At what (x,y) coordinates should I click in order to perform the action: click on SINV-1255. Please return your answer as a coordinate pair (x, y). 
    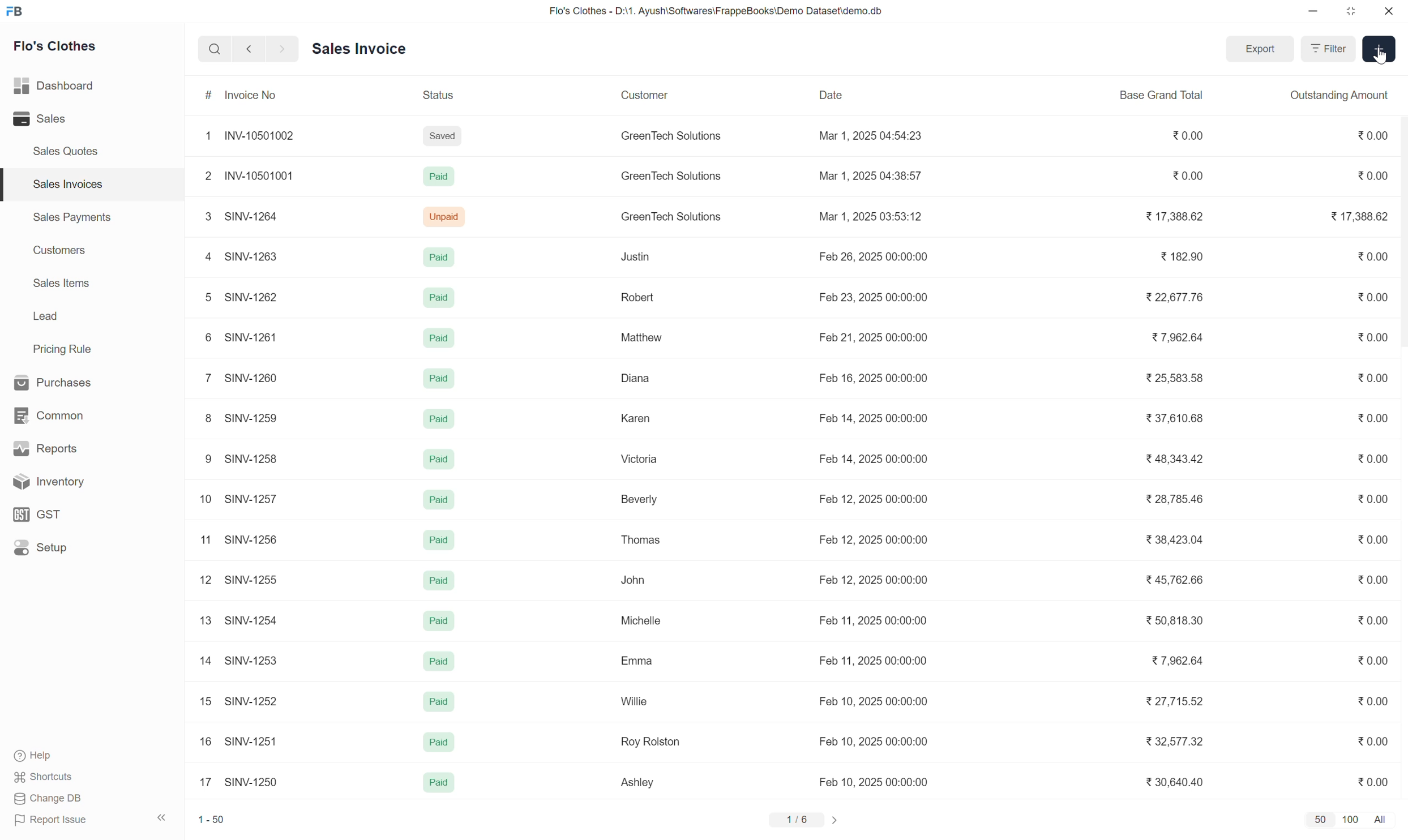
    Looking at the image, I should click on (251, 579).